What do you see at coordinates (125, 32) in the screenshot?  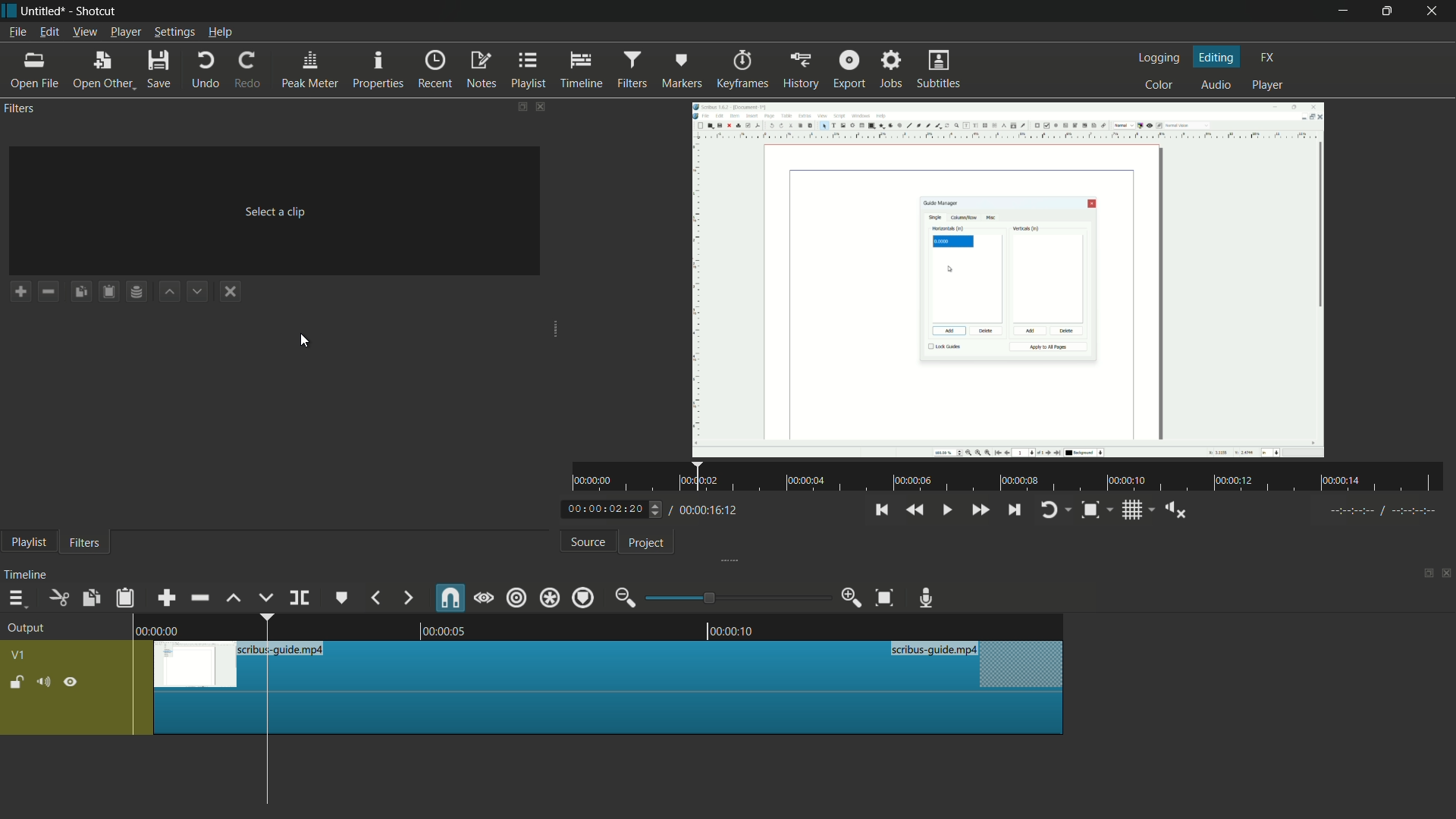 I see `player menu` at bounding box center [125, 32].